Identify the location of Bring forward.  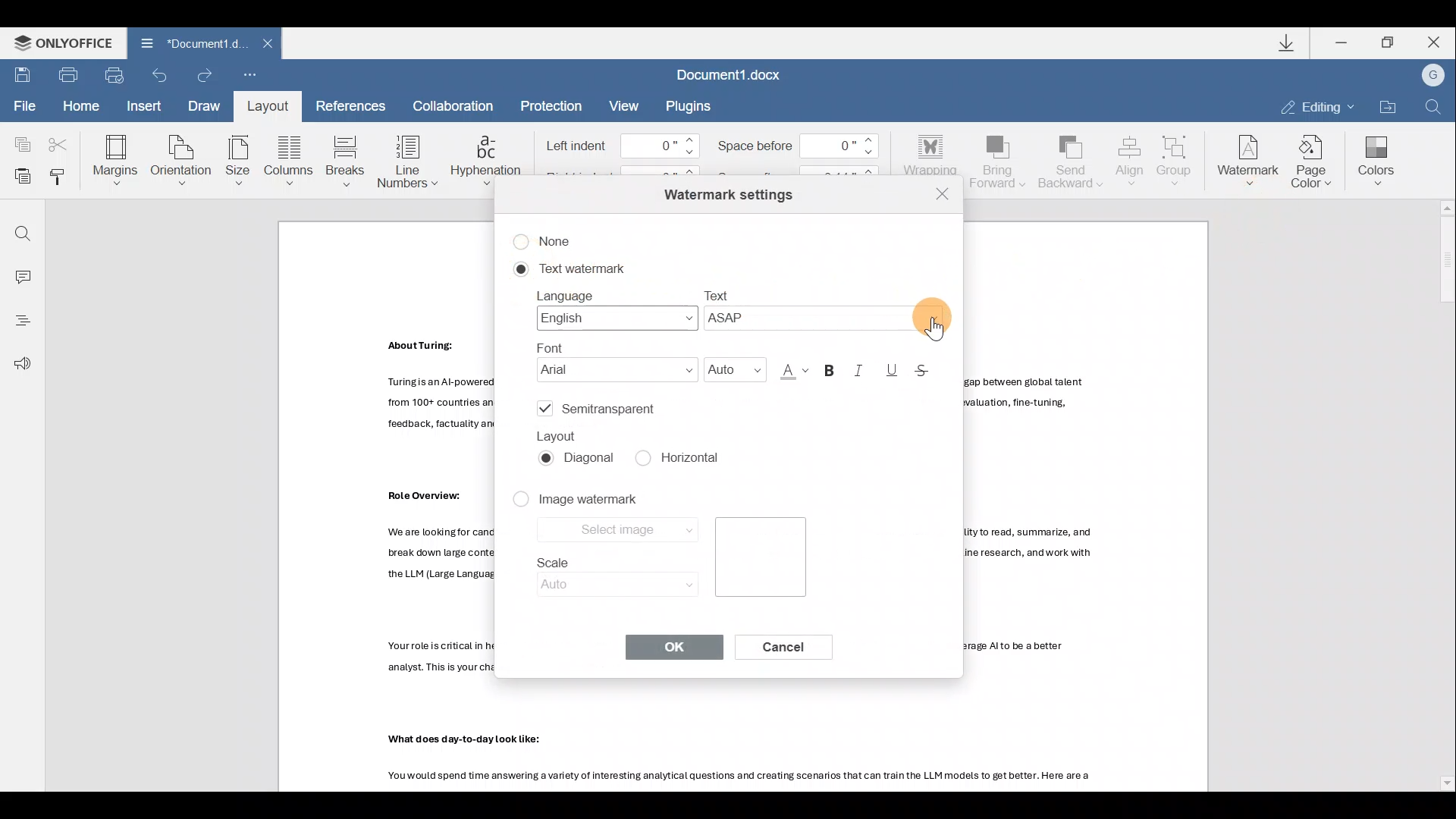
(999, 164).